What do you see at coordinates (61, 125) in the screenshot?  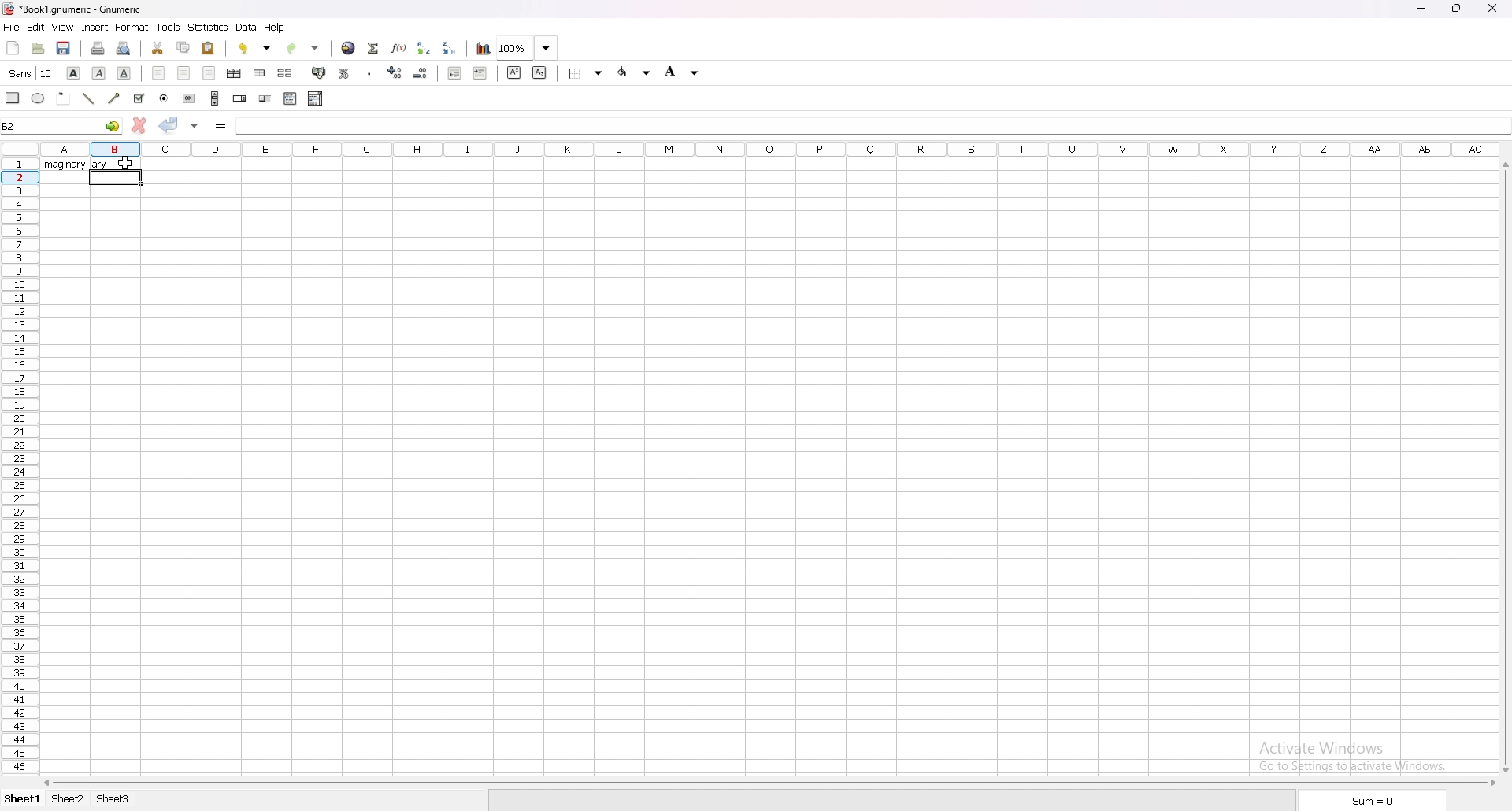 I see `selected cell` at bounding box center [61, 125].